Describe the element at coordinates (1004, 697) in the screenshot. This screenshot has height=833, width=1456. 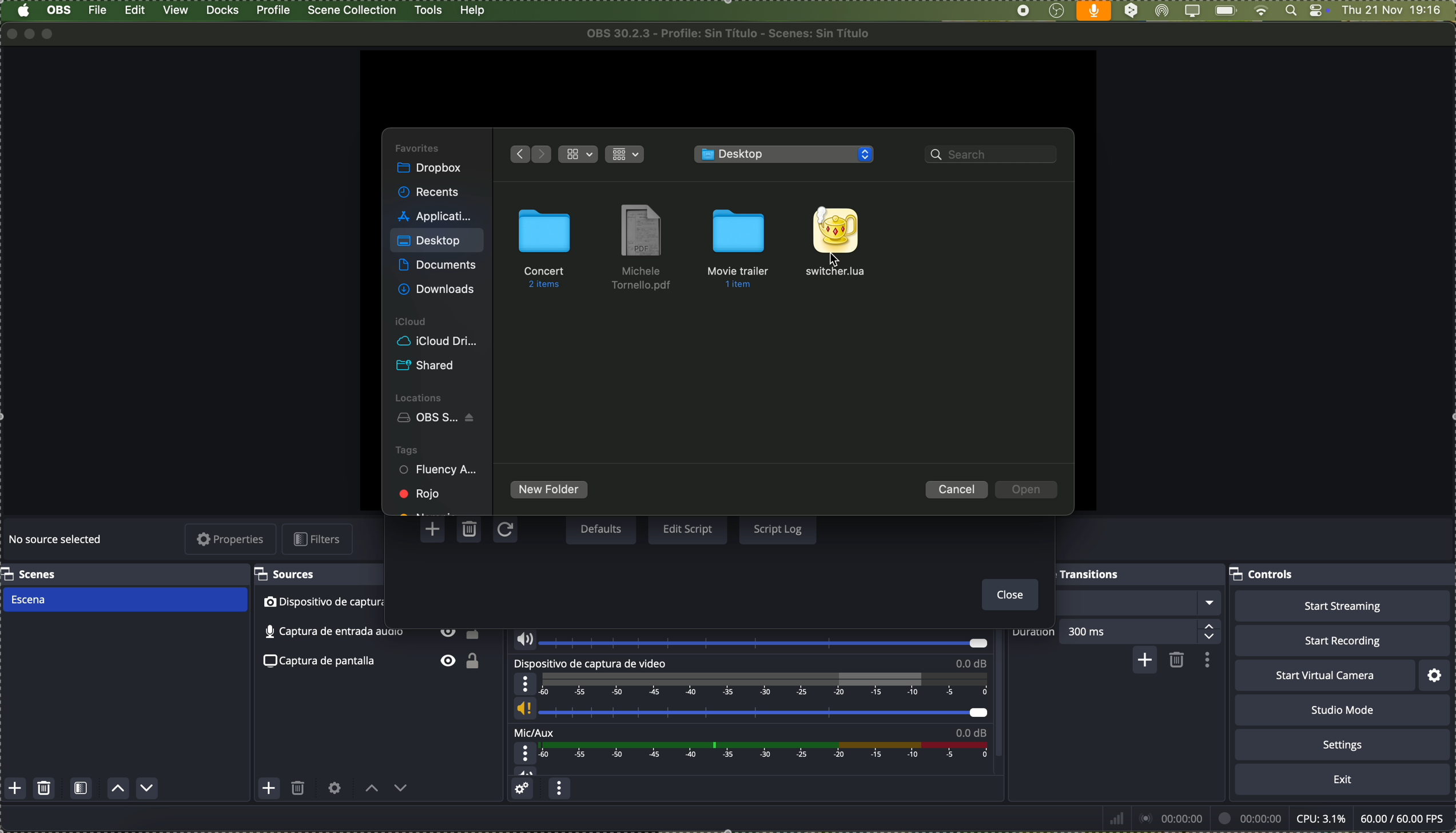
I see `scroll bar` at that location.